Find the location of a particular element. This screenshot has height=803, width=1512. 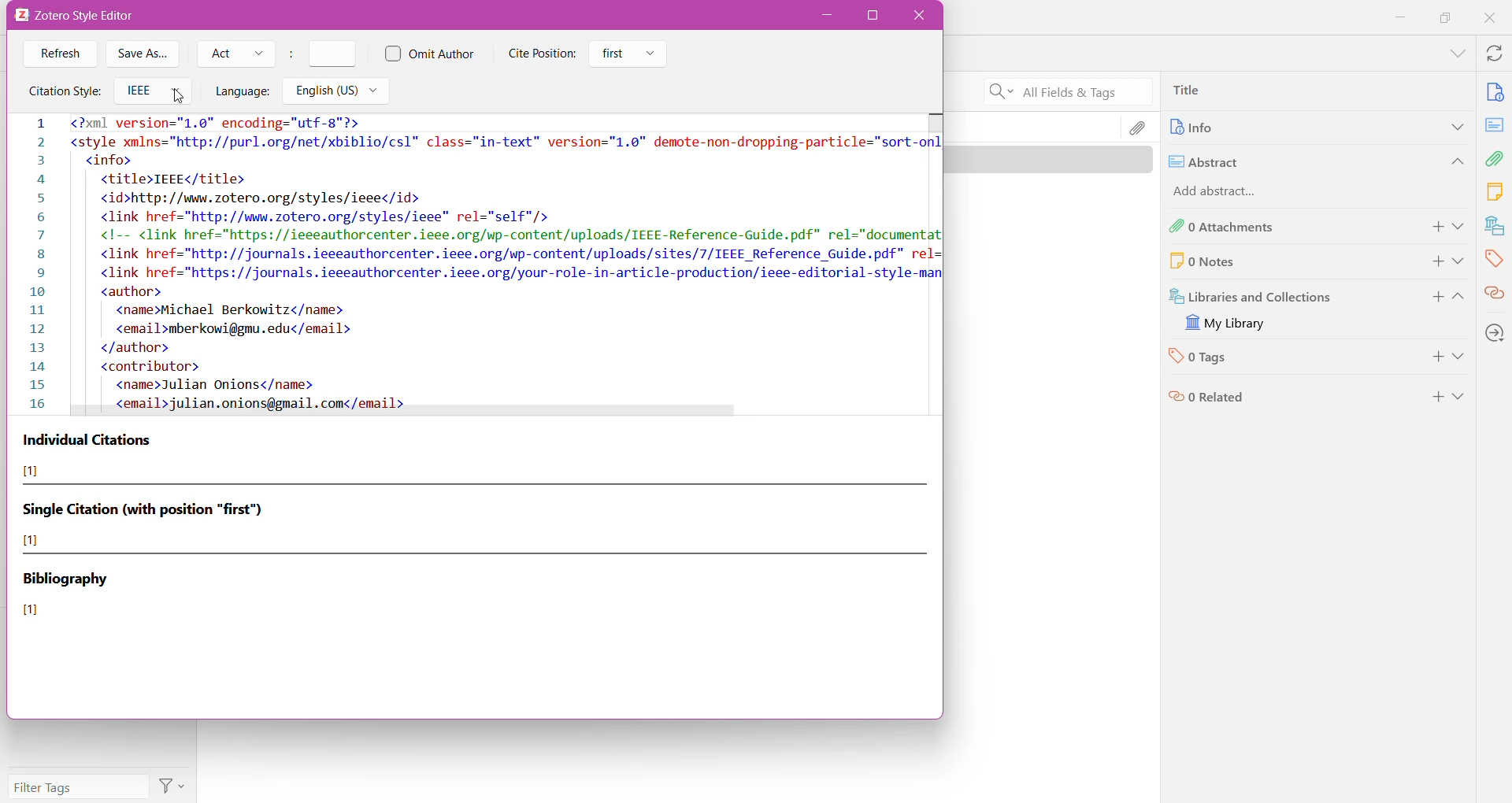

cursor is located at coordinates (178, 95).